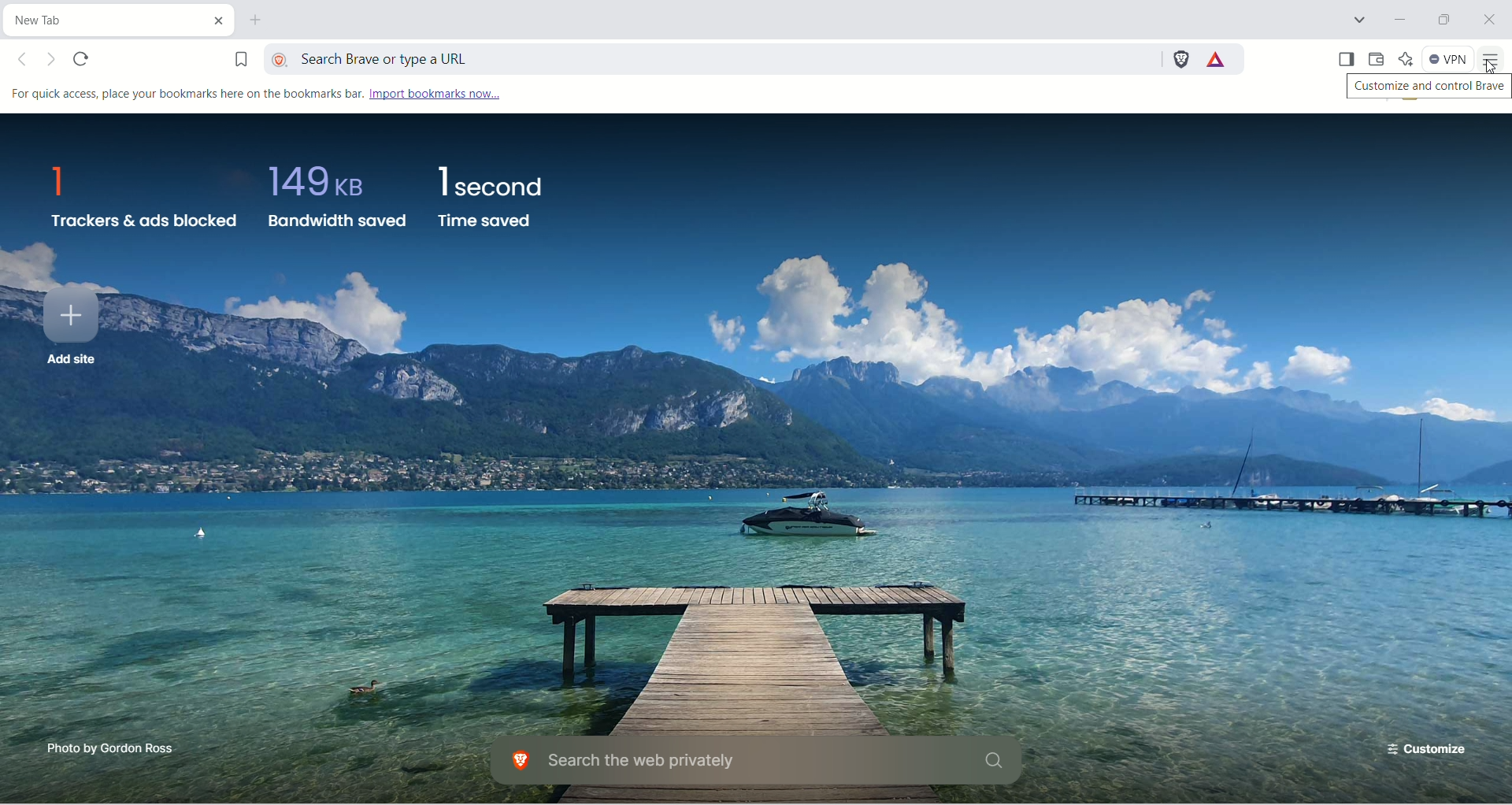 Image resolution: width=1512 pixels, height=805 pixels. Describe the element at coordinates (1347, 58) in the screenshot. I see `show sidebar` at that location.